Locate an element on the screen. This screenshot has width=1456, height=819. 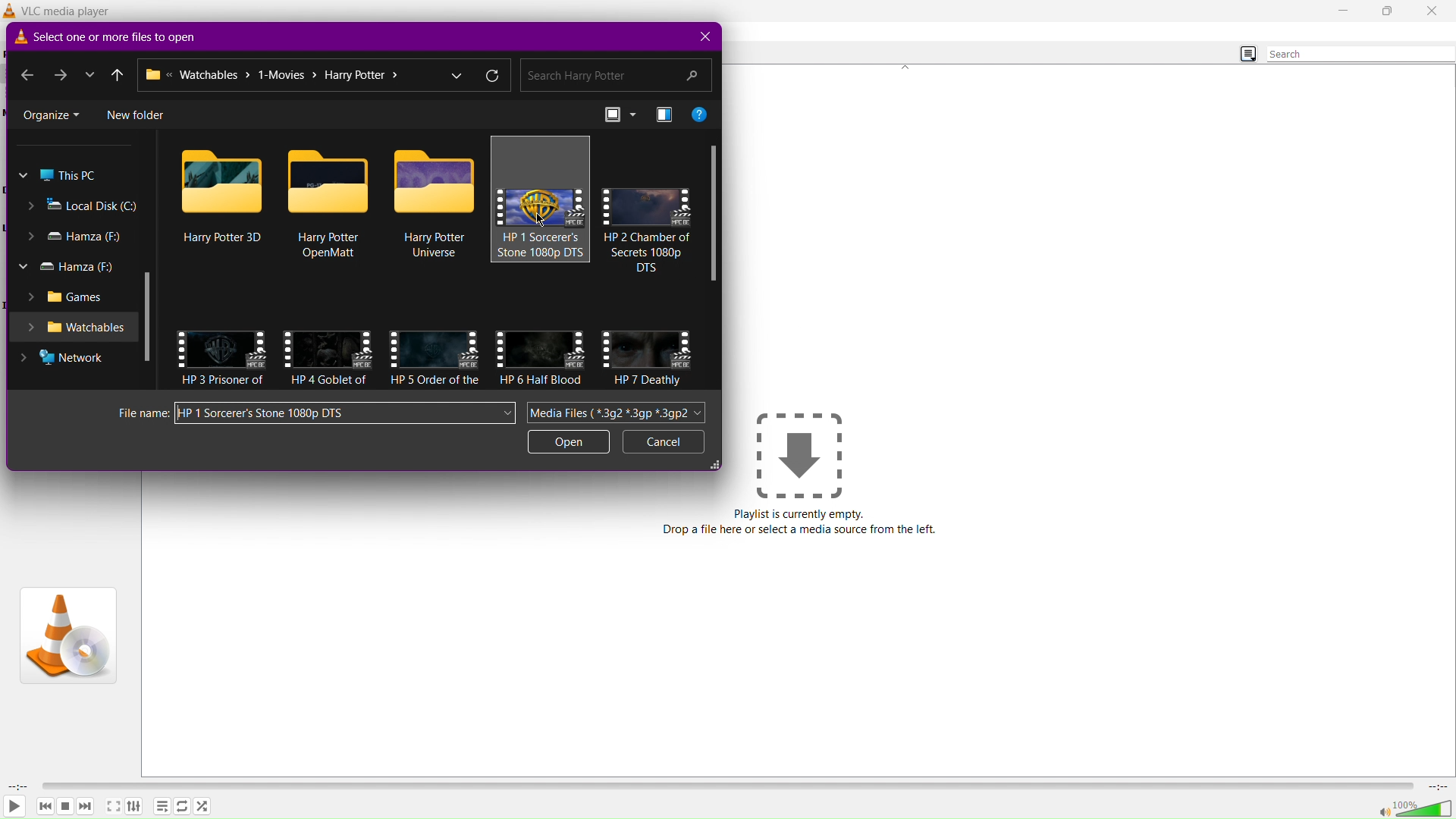
Close is located at coordinates (1432, 11).